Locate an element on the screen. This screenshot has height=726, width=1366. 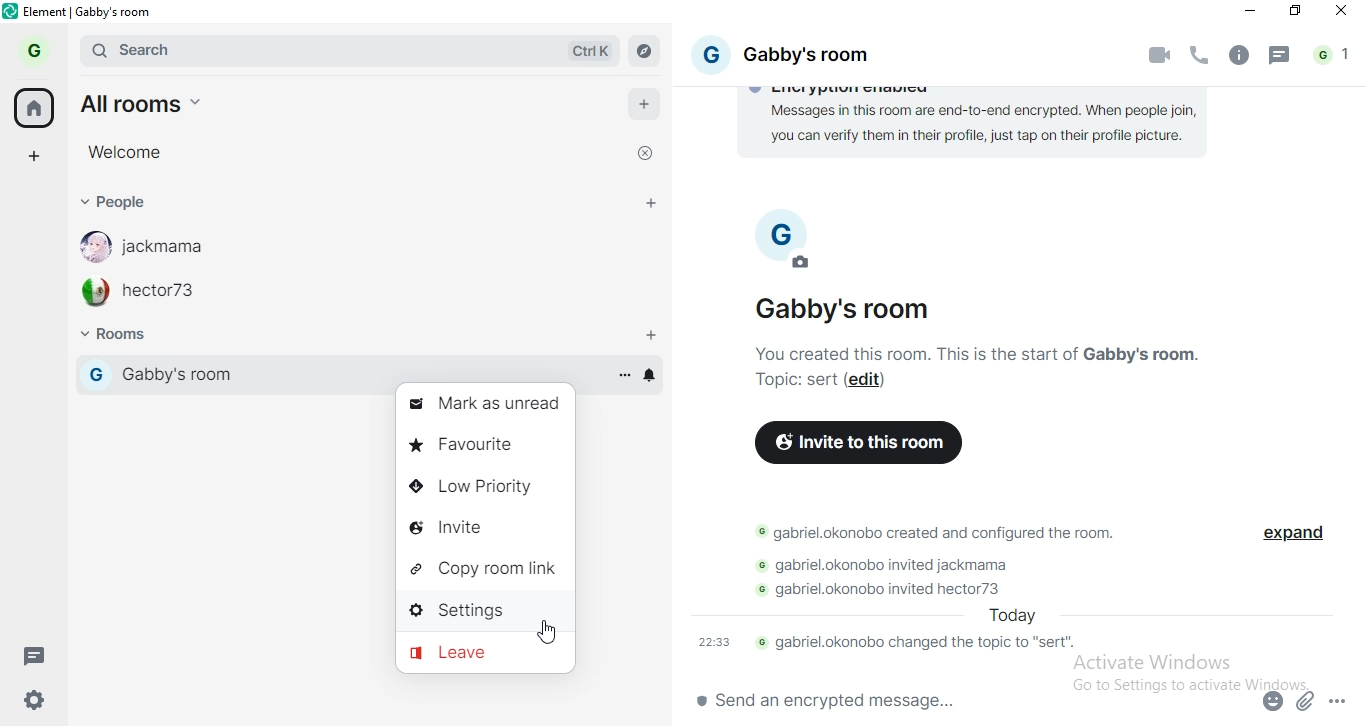
options is located at coordinates (1340, 697).